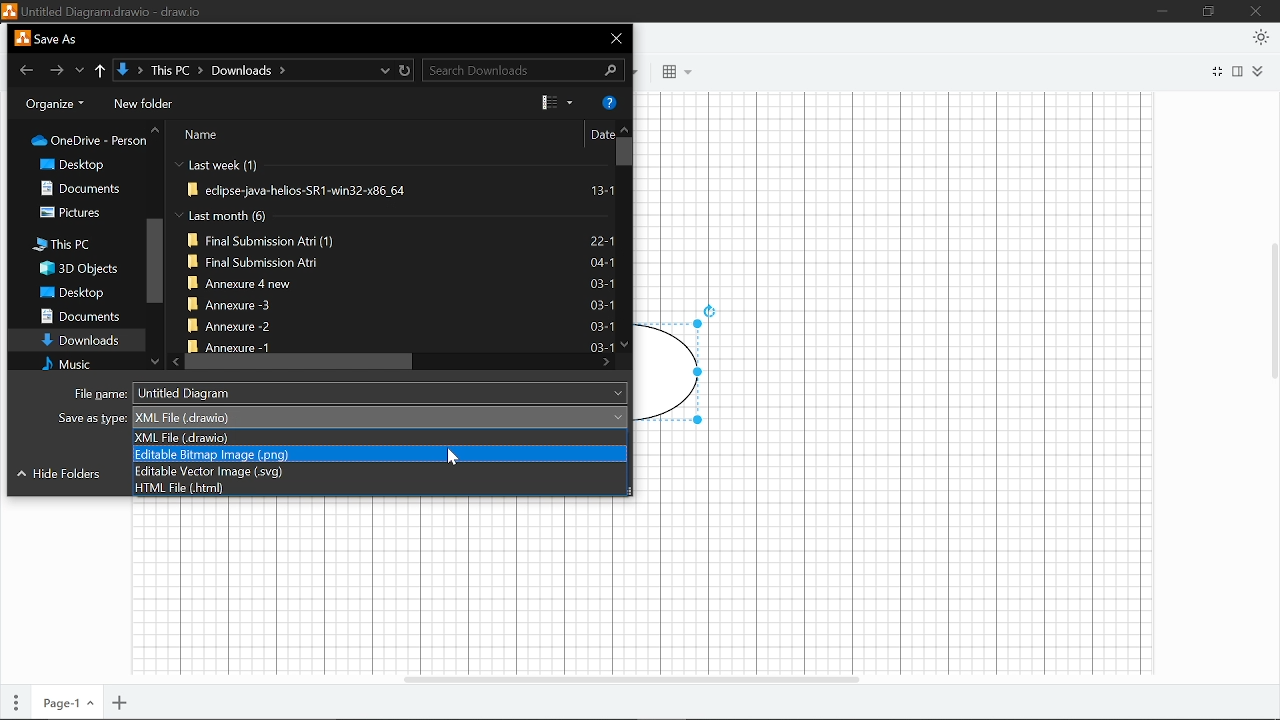 The image size is (1280, 720). Describe the element at coordinates (381, 453) in the screenshot. I see `Save as PNG file` at that location.